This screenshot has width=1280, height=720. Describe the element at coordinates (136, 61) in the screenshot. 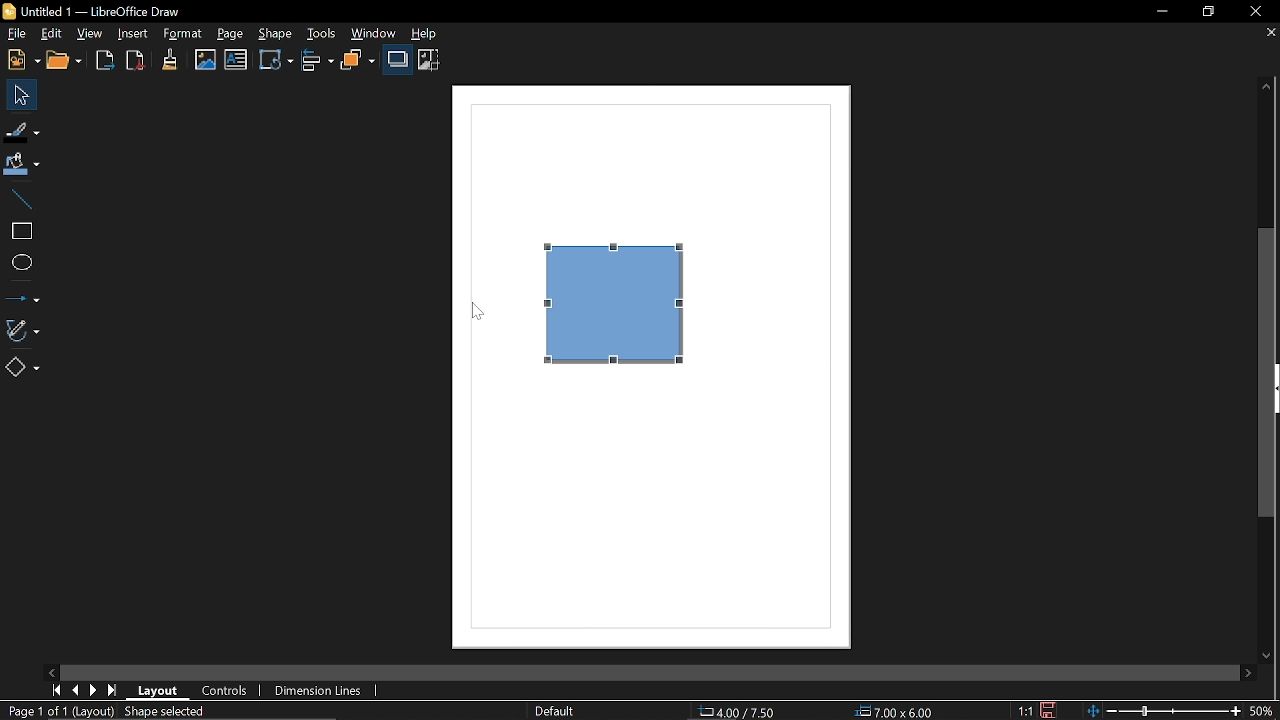

I see `Export as pdf` at that location.